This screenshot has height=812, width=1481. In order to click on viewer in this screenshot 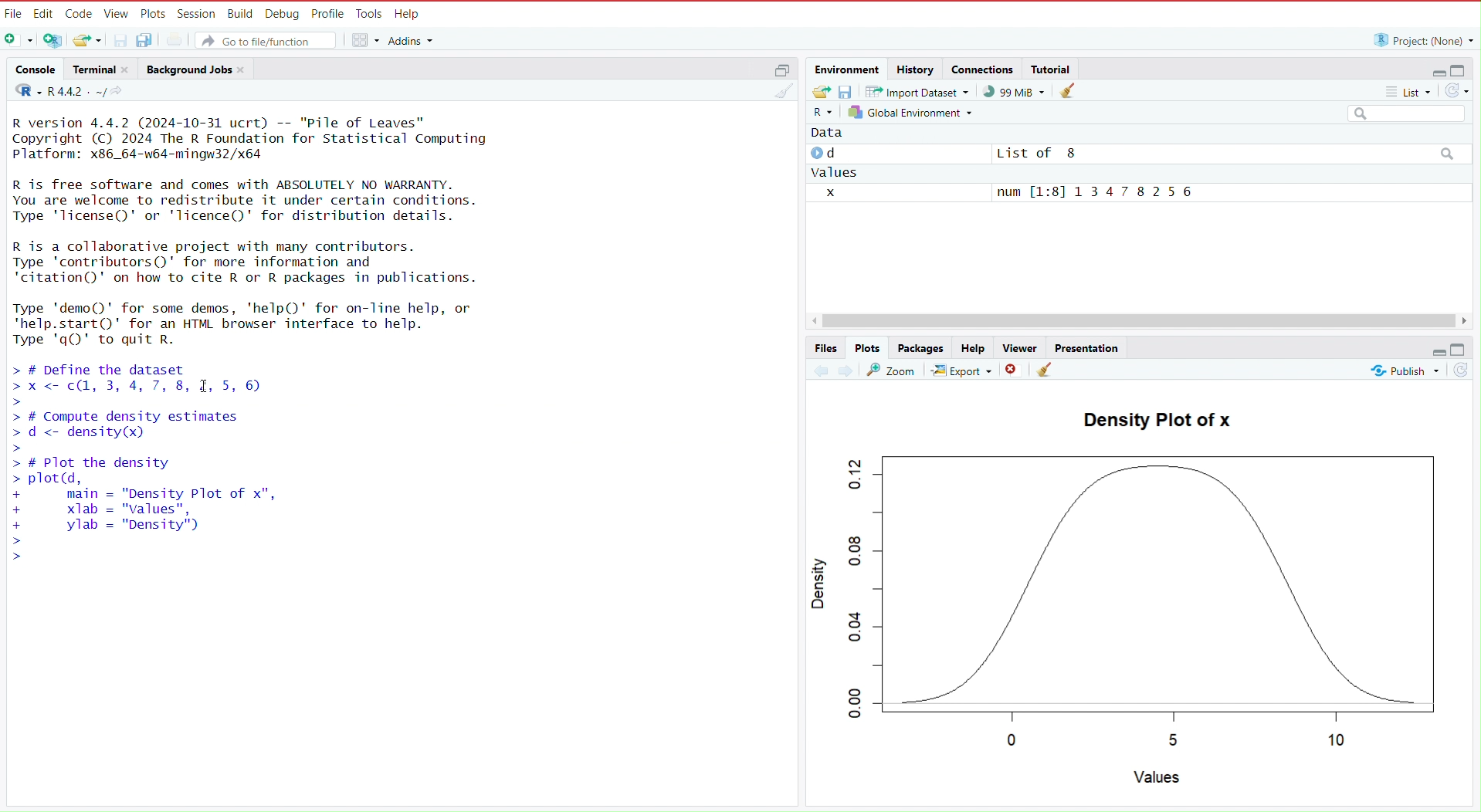, I will do `click(1015, 347)`.